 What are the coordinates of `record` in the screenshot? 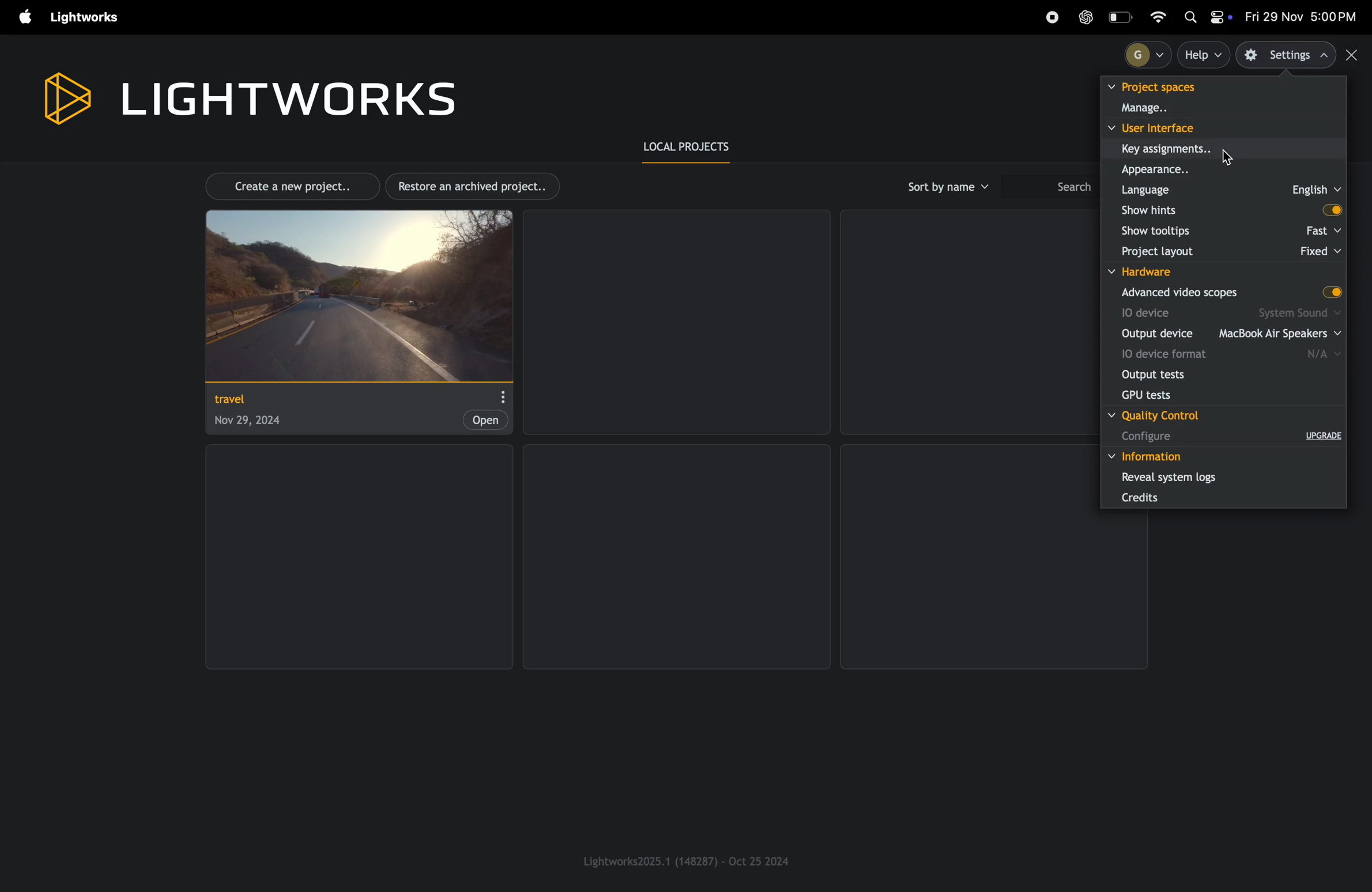 It's located at (1051, 17).